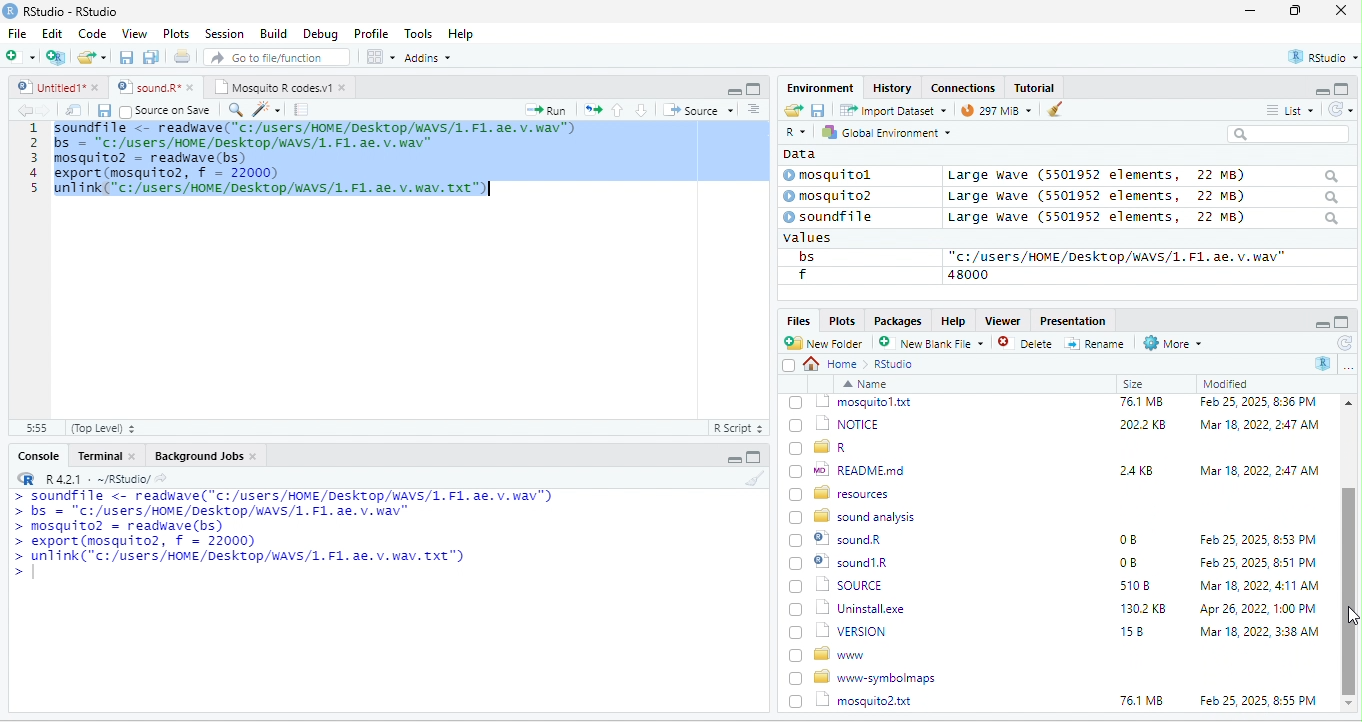 The width and height of the screenshot is (1362, 722). Describe the element at coordinates (832, 544) in the screenshot. I see `(7) 1 NOTICE` at that location.